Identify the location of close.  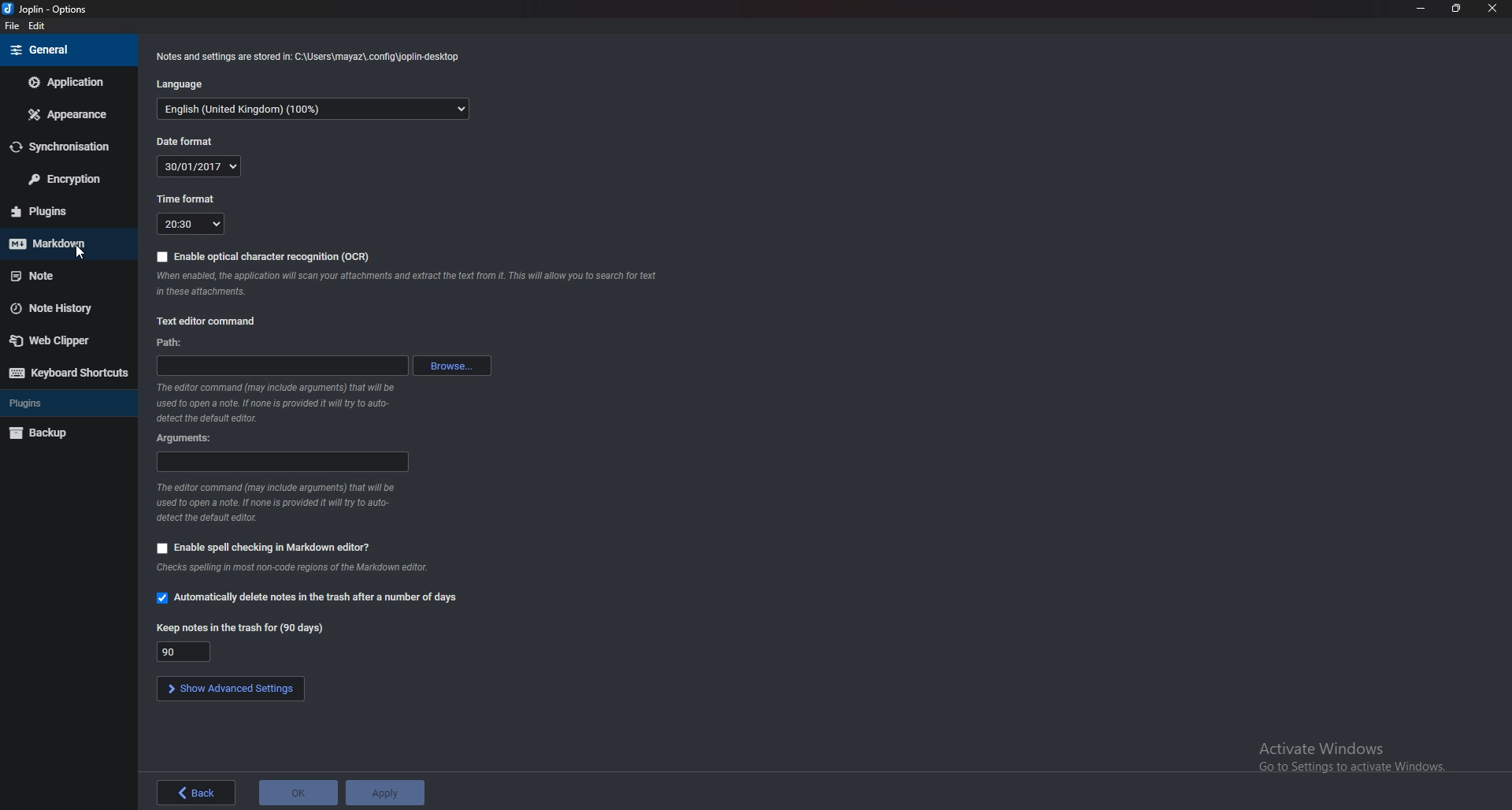
(1493, 9).